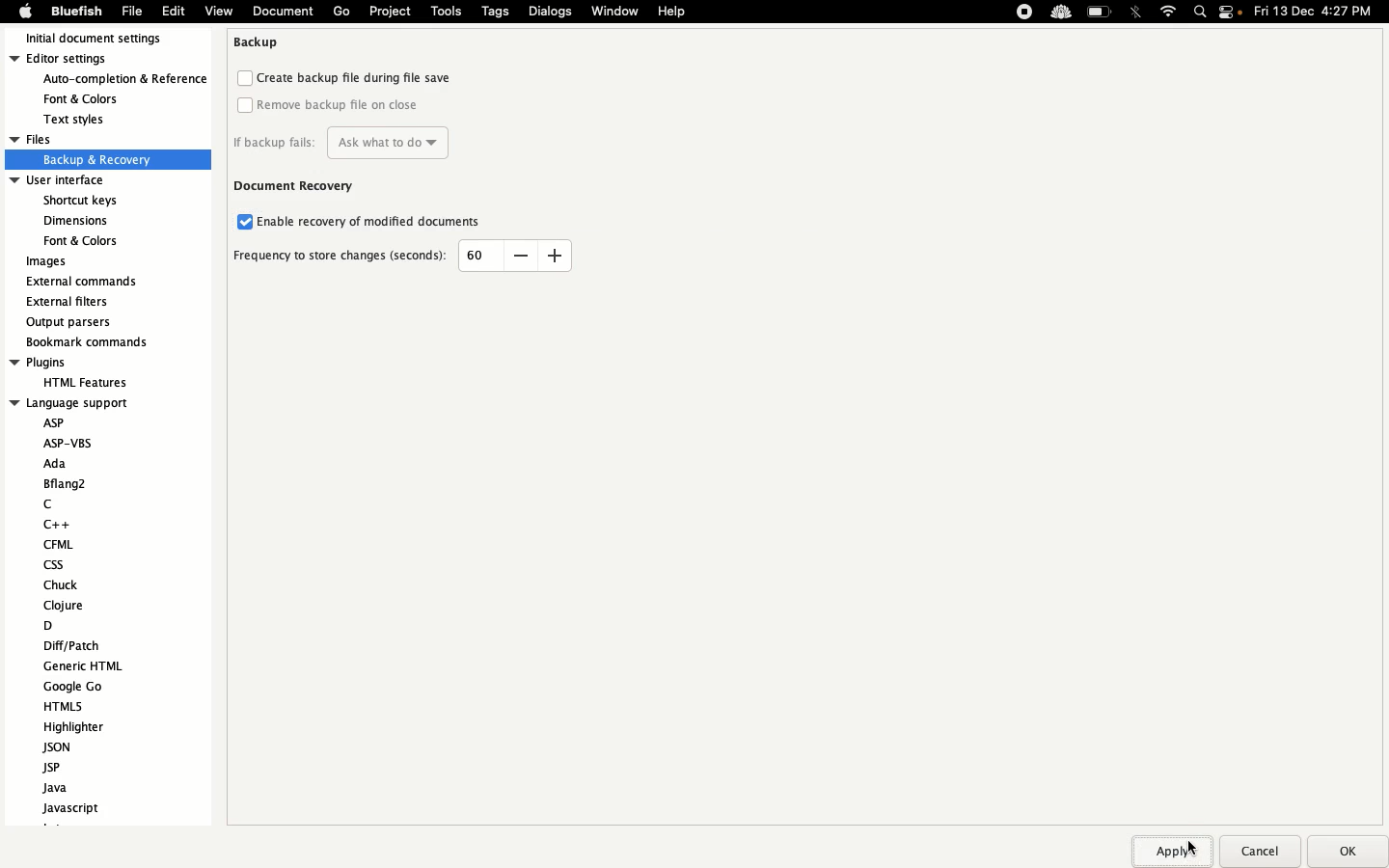 Image resolution: width=1389 pixels, height=868 pixels. What do you see at coordinates (108, 89) in the screenshot?
I see `Editor settings` at bounding box center [108, 89].